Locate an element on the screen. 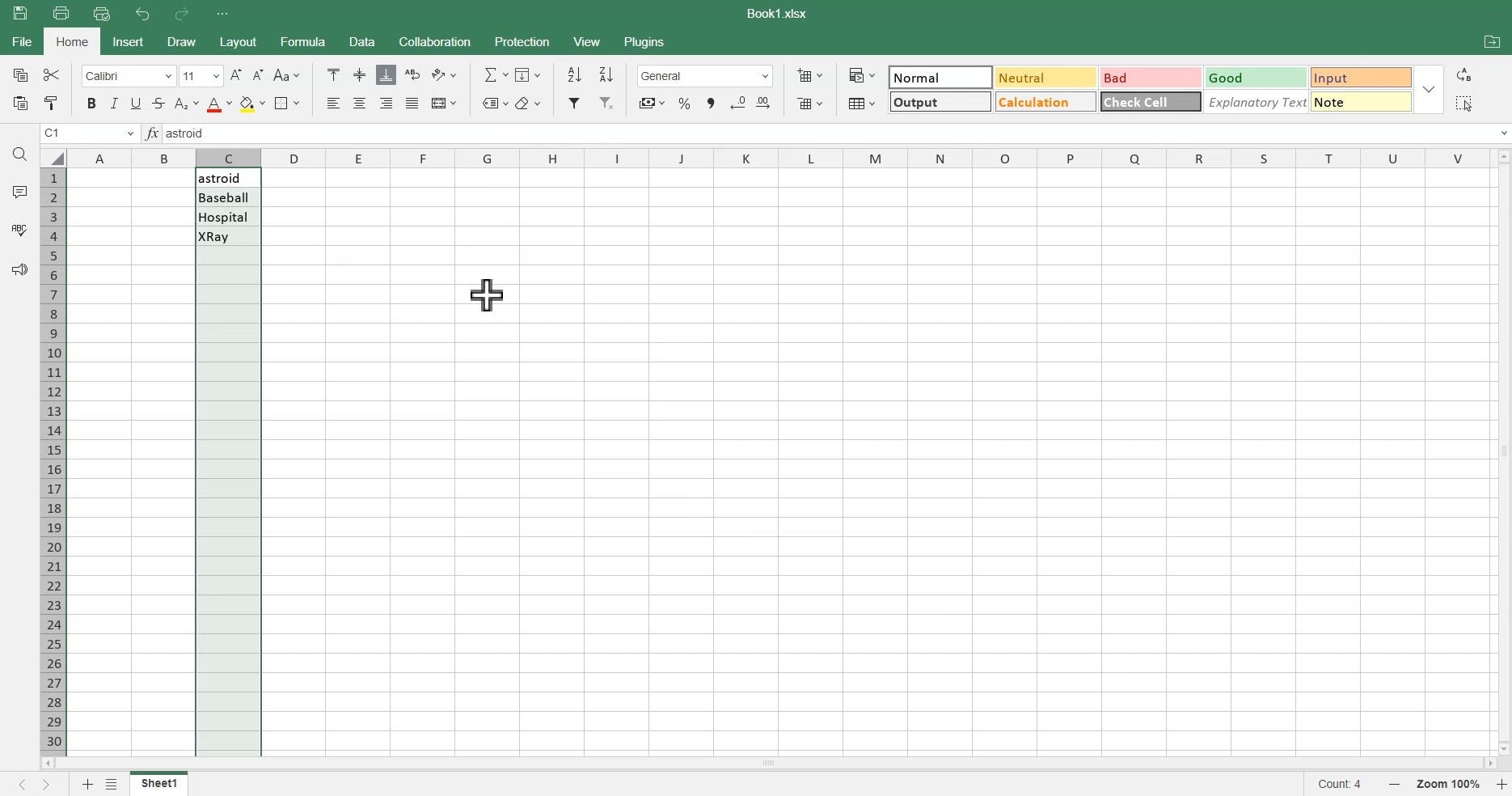 This screenshot has height=796, width=1512. Protection is located at coordinates (521, 41).